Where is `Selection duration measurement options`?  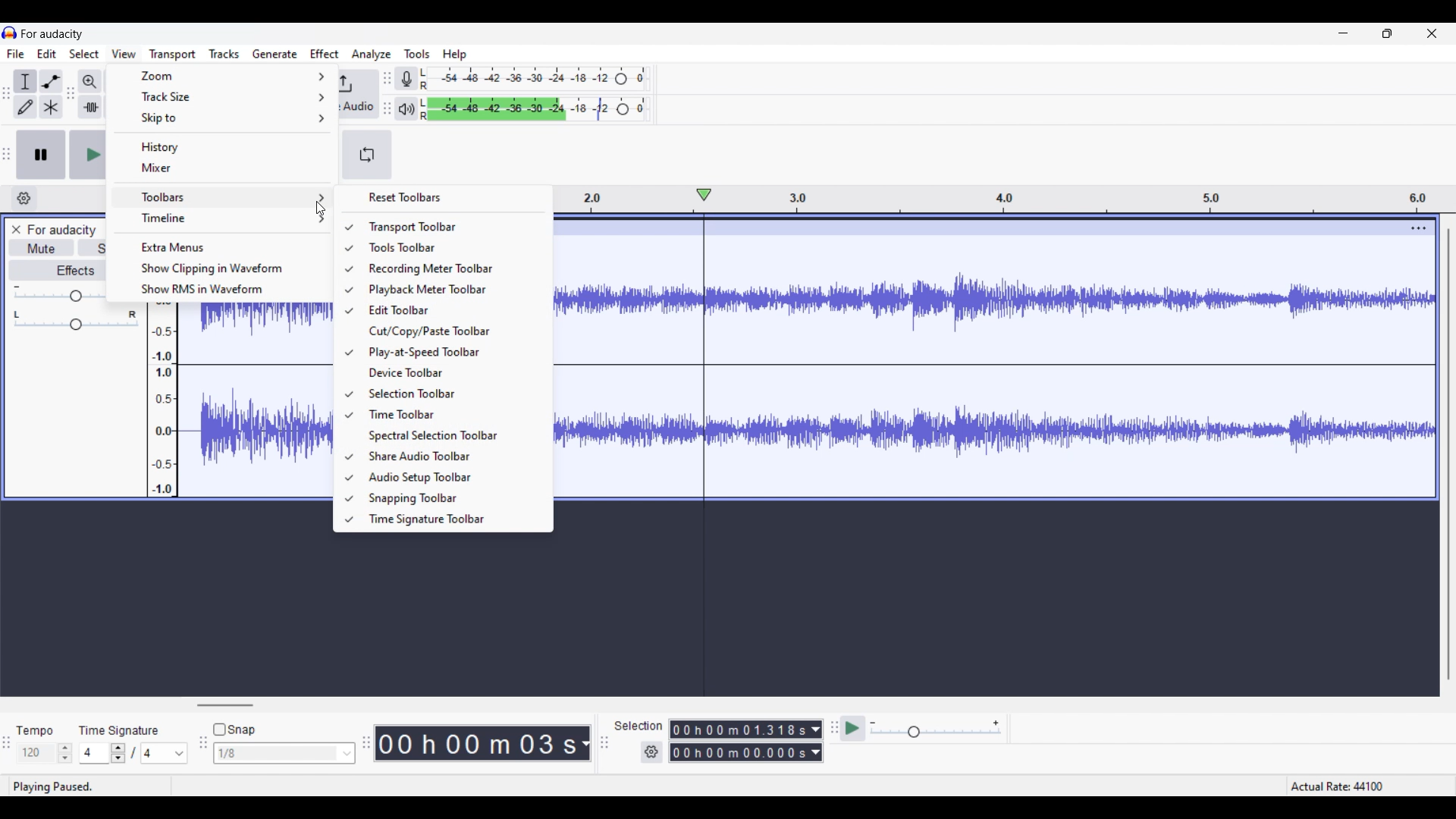
Selection duration measurement options is located at coordinates (815, 741).